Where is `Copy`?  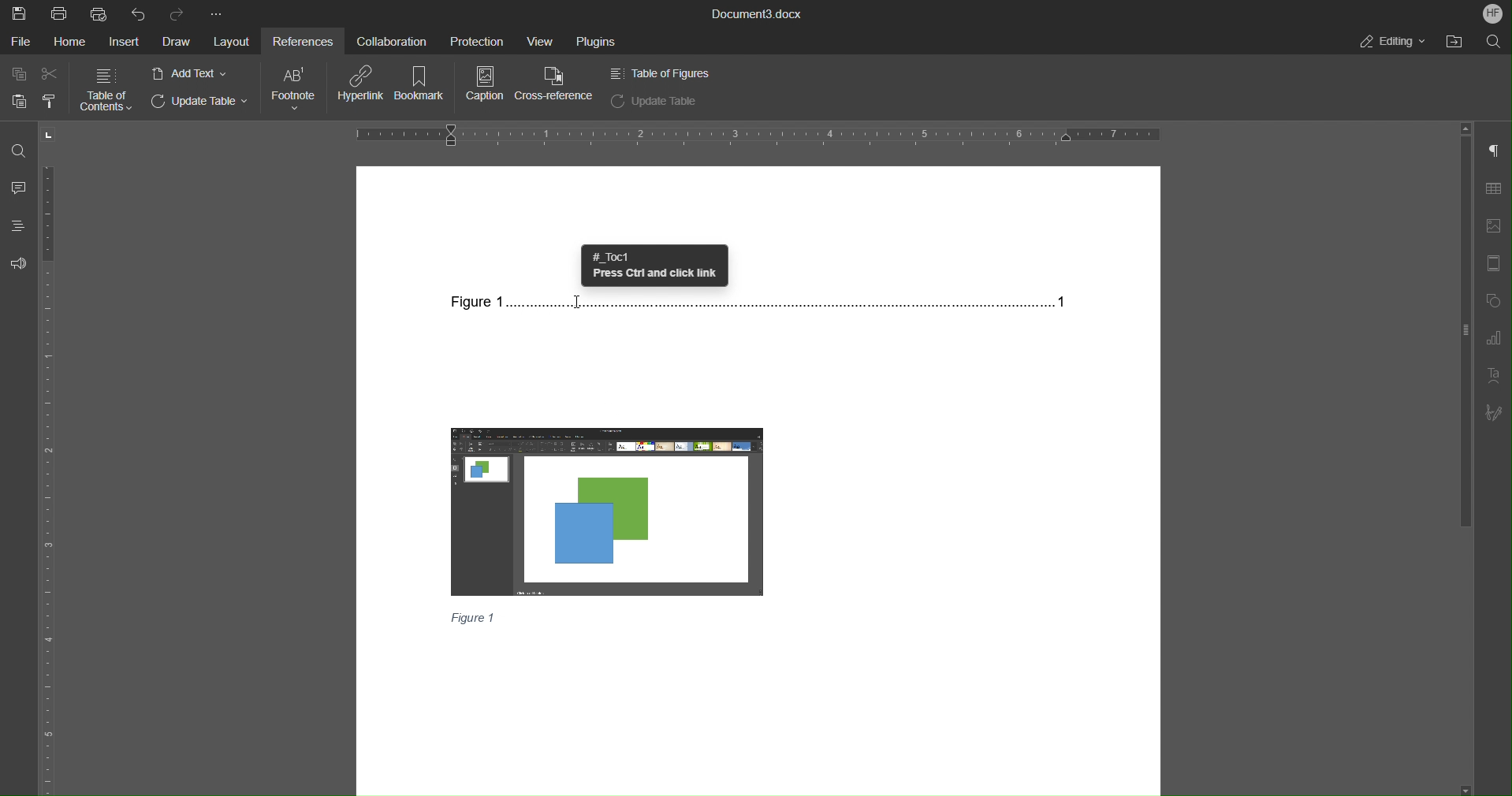 Copy is located at coordinates (20, 74).